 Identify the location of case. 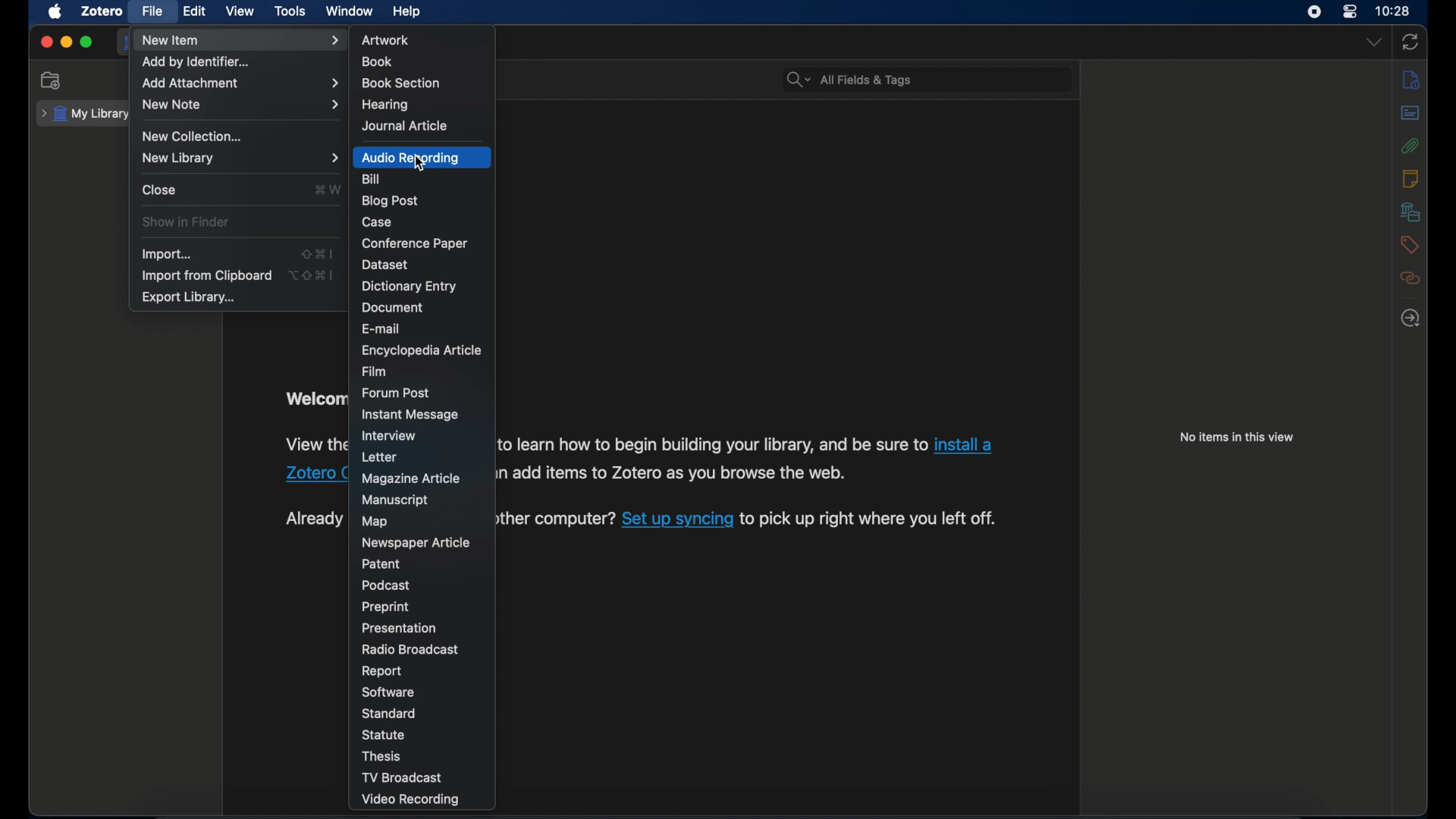
(378, 222).